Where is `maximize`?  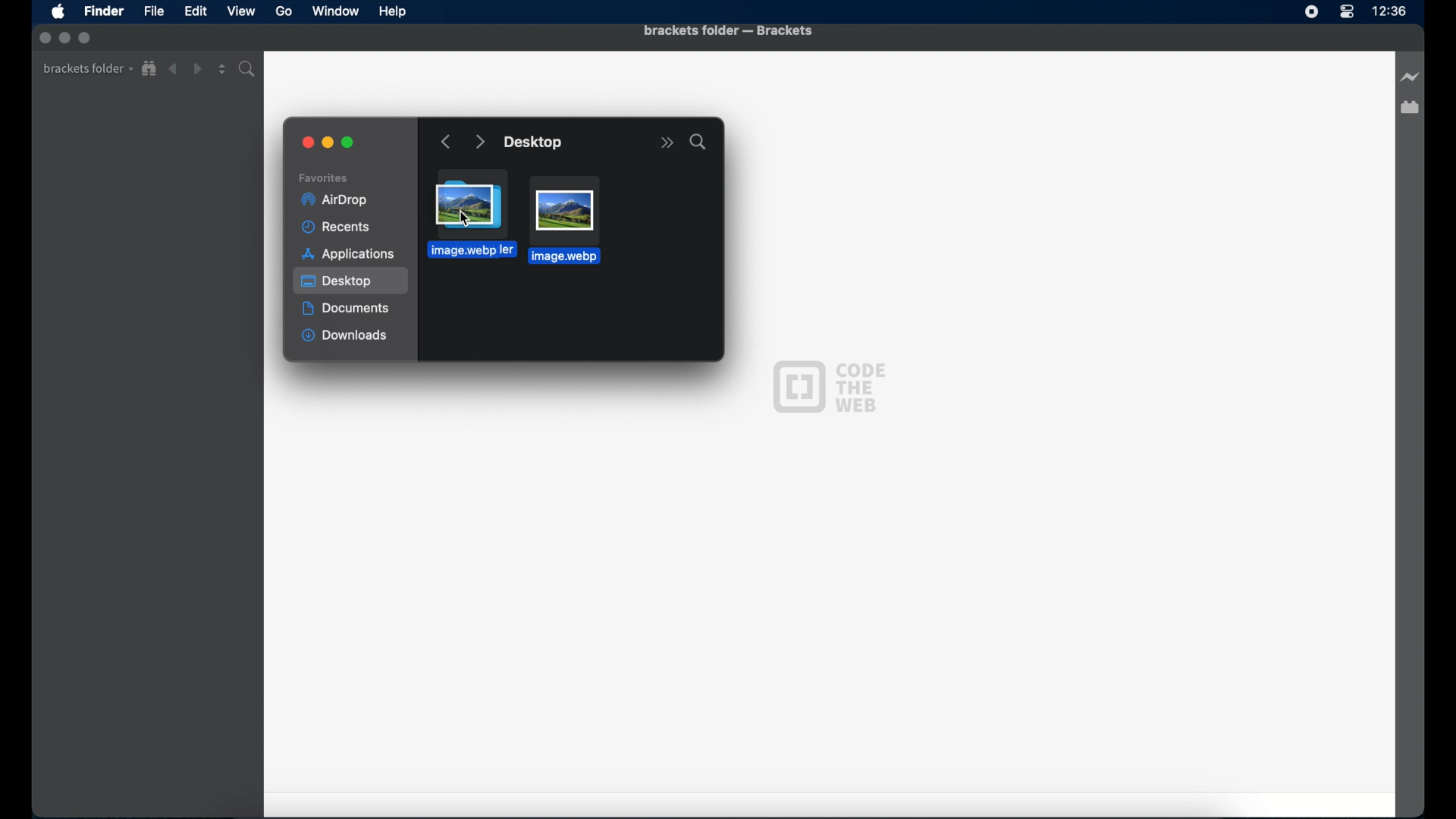
maximize is located at coordinates (350, 143).